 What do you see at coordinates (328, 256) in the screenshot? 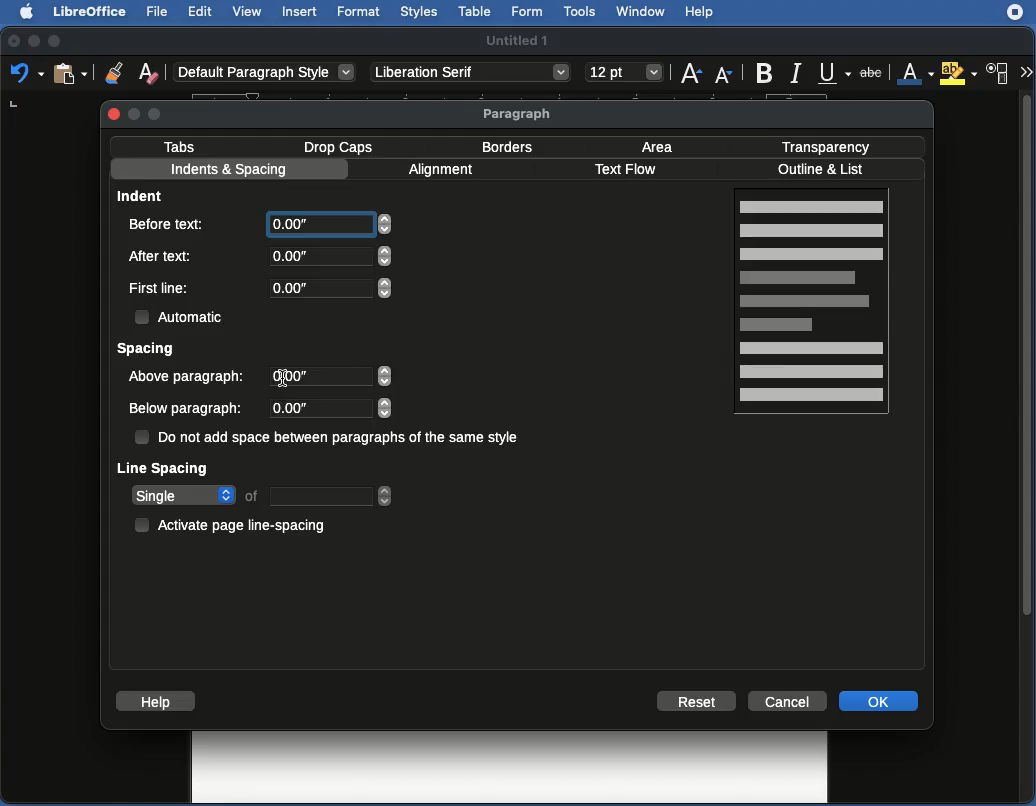
I see `0.00"` at bounding box center [328, 256].